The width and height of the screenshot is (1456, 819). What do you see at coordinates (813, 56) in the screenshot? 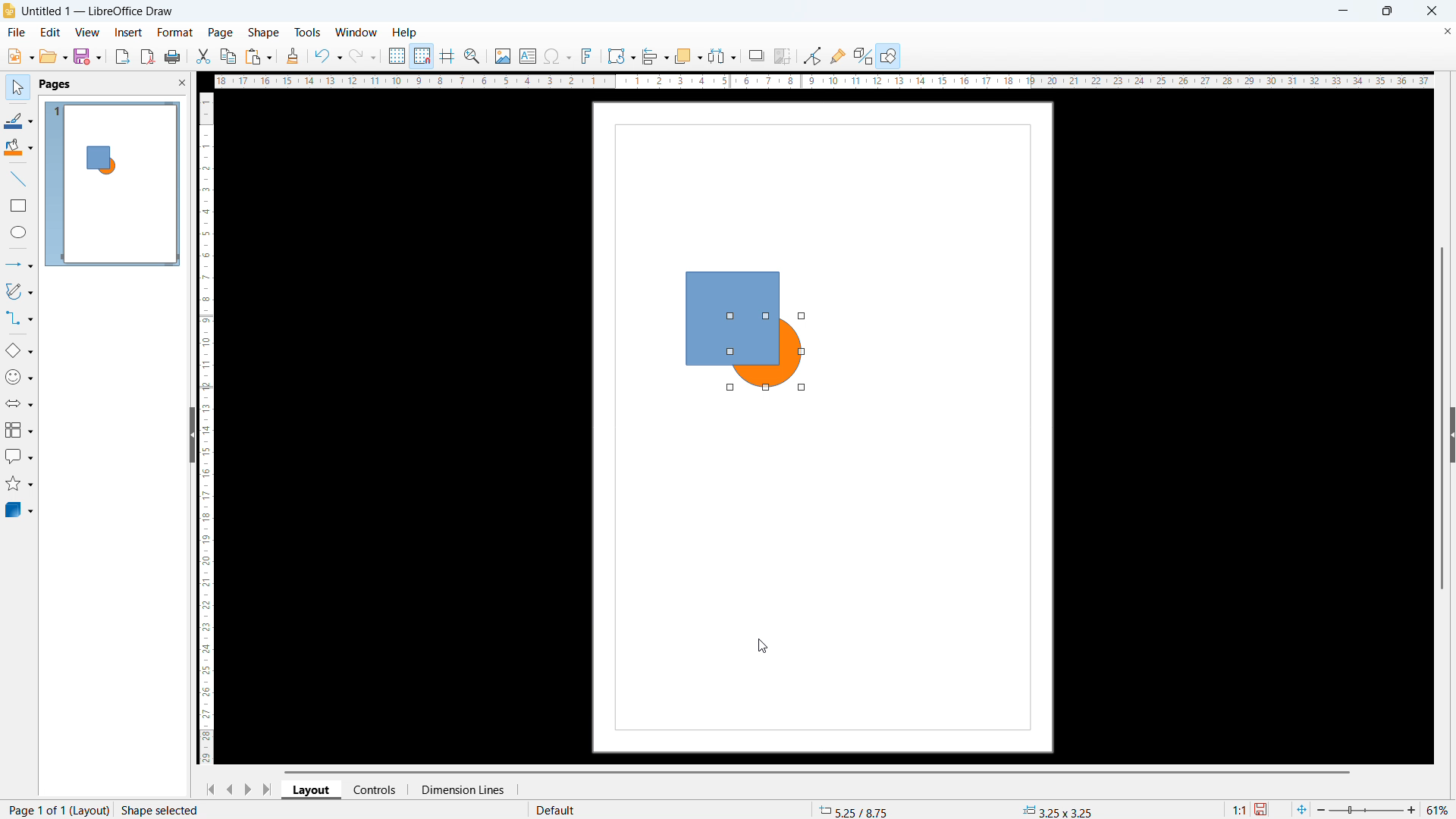
I see `toggle point edit mode` at bounding box center [813, 56].